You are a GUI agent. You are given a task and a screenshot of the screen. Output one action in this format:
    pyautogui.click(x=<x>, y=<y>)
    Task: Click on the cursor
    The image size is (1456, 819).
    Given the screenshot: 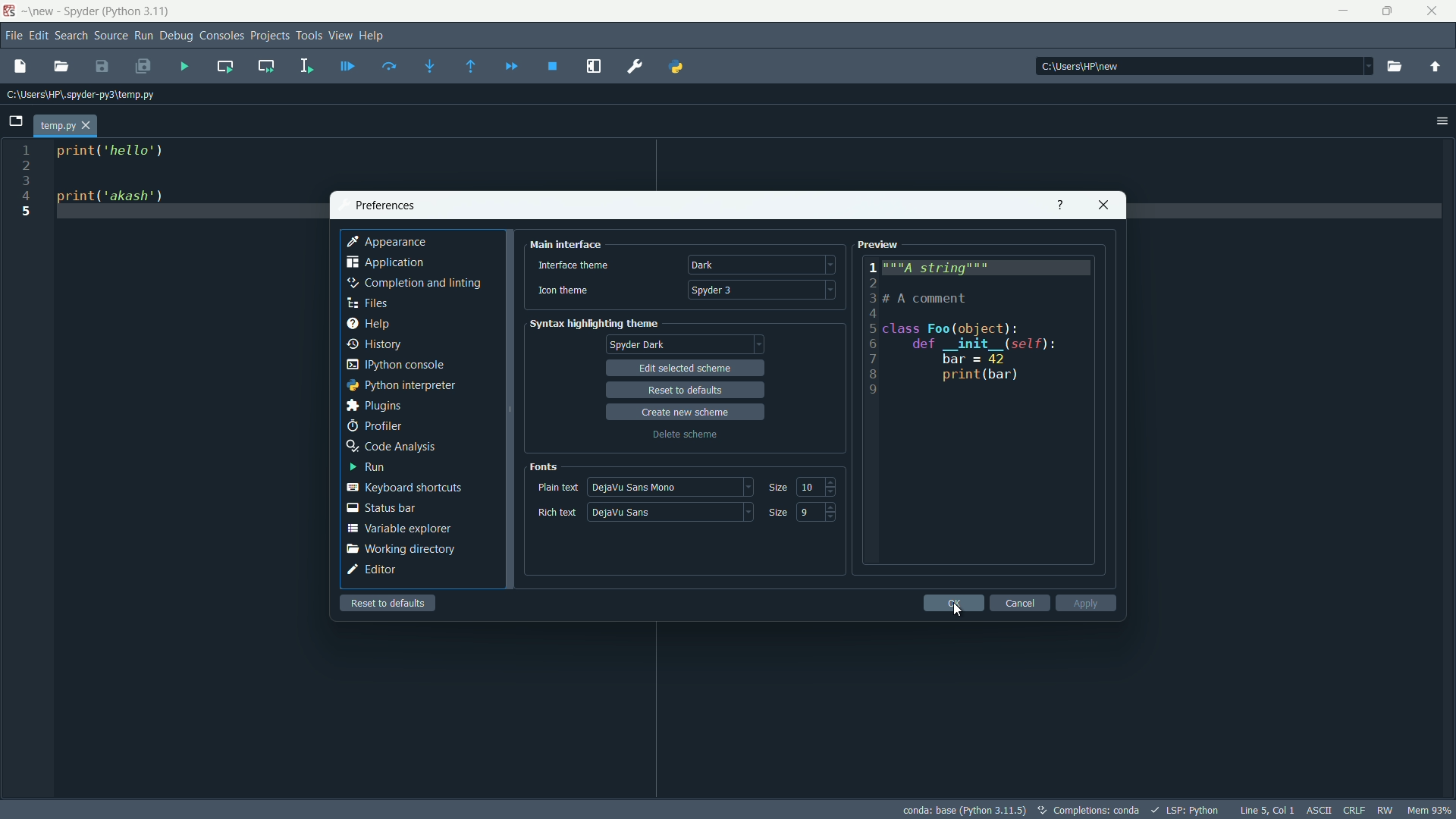 What is the action you would take?
    pyautogui.click(x=960, y=612)
    